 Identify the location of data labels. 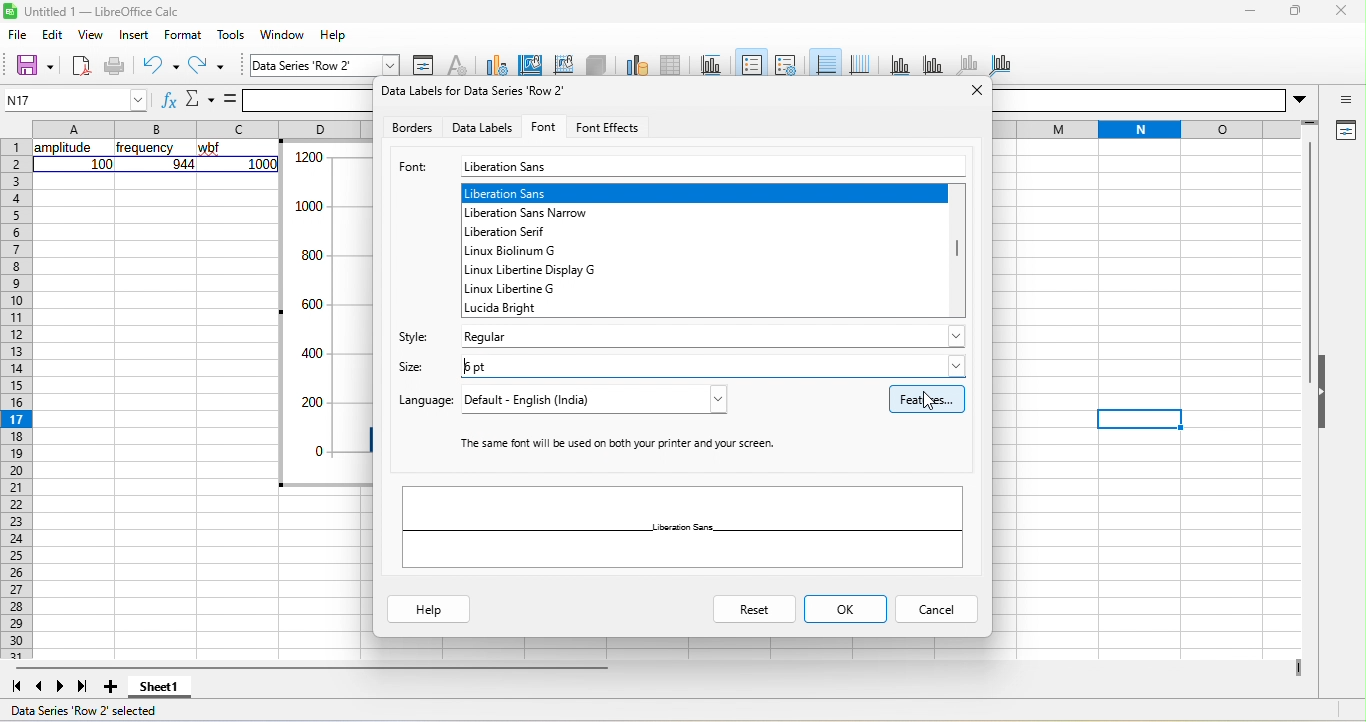
(480, 127).